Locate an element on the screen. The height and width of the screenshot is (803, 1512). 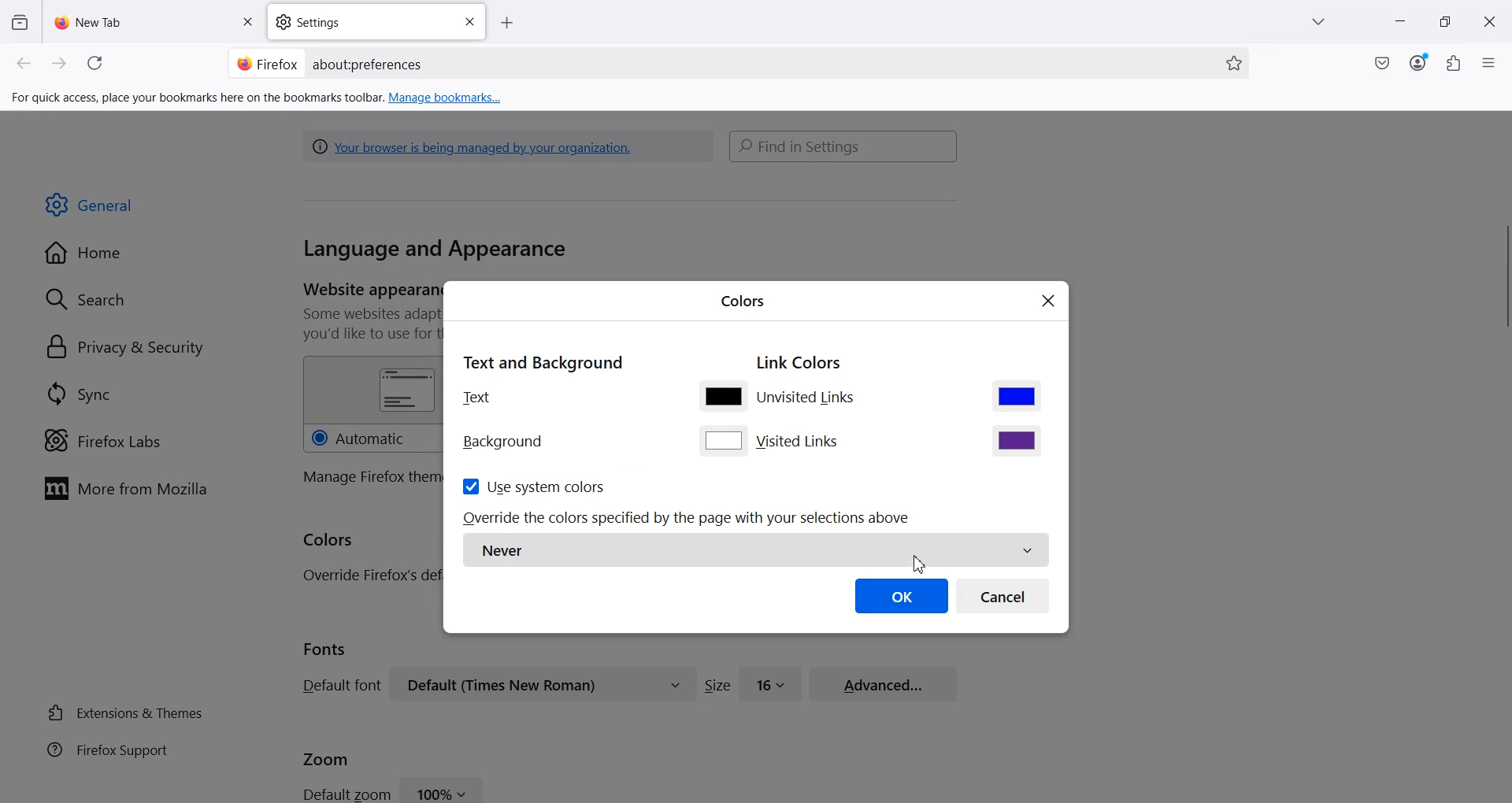
[W] Sync is located at coordinates (76, 393).